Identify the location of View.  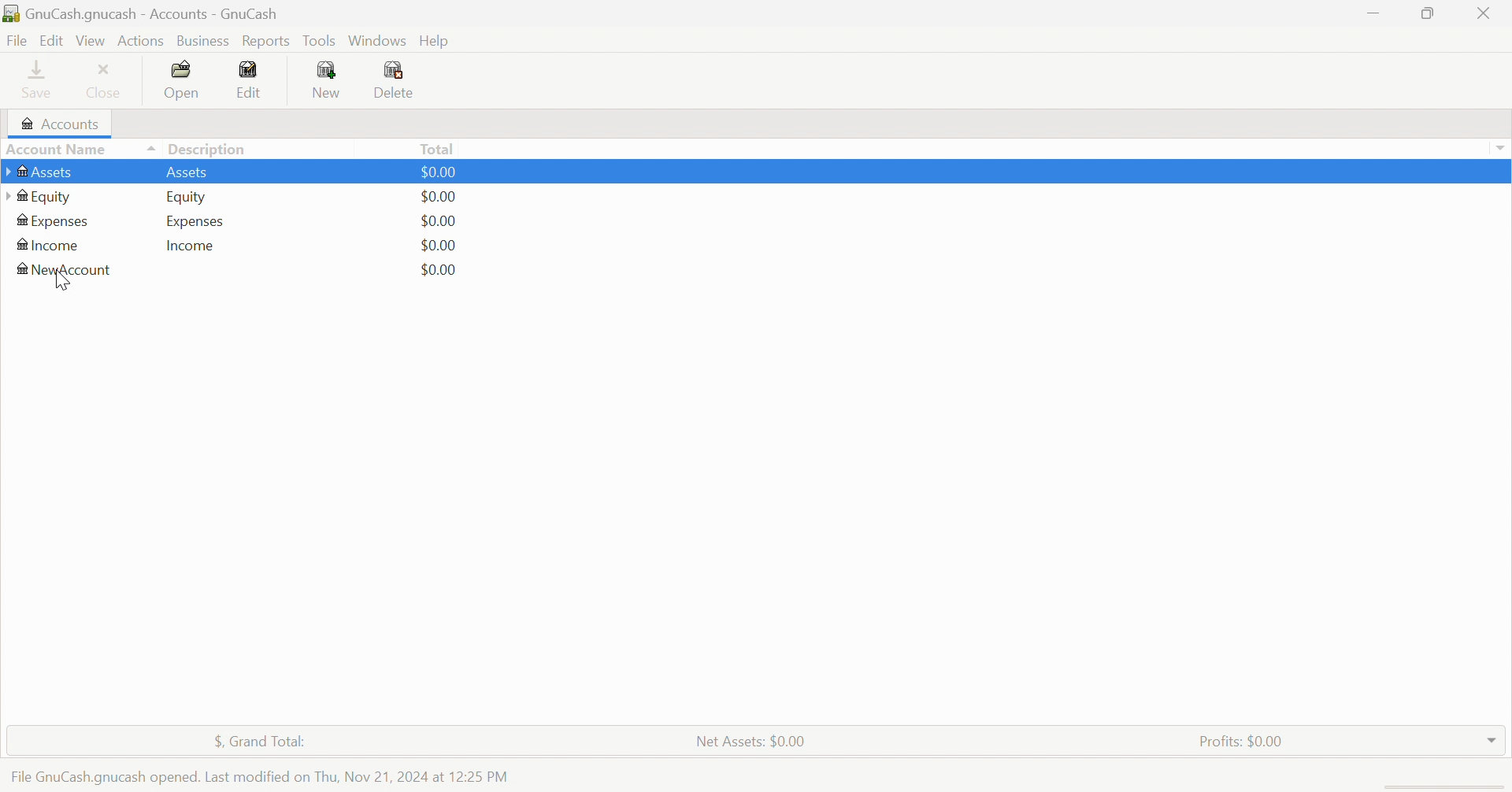
(91, 41).